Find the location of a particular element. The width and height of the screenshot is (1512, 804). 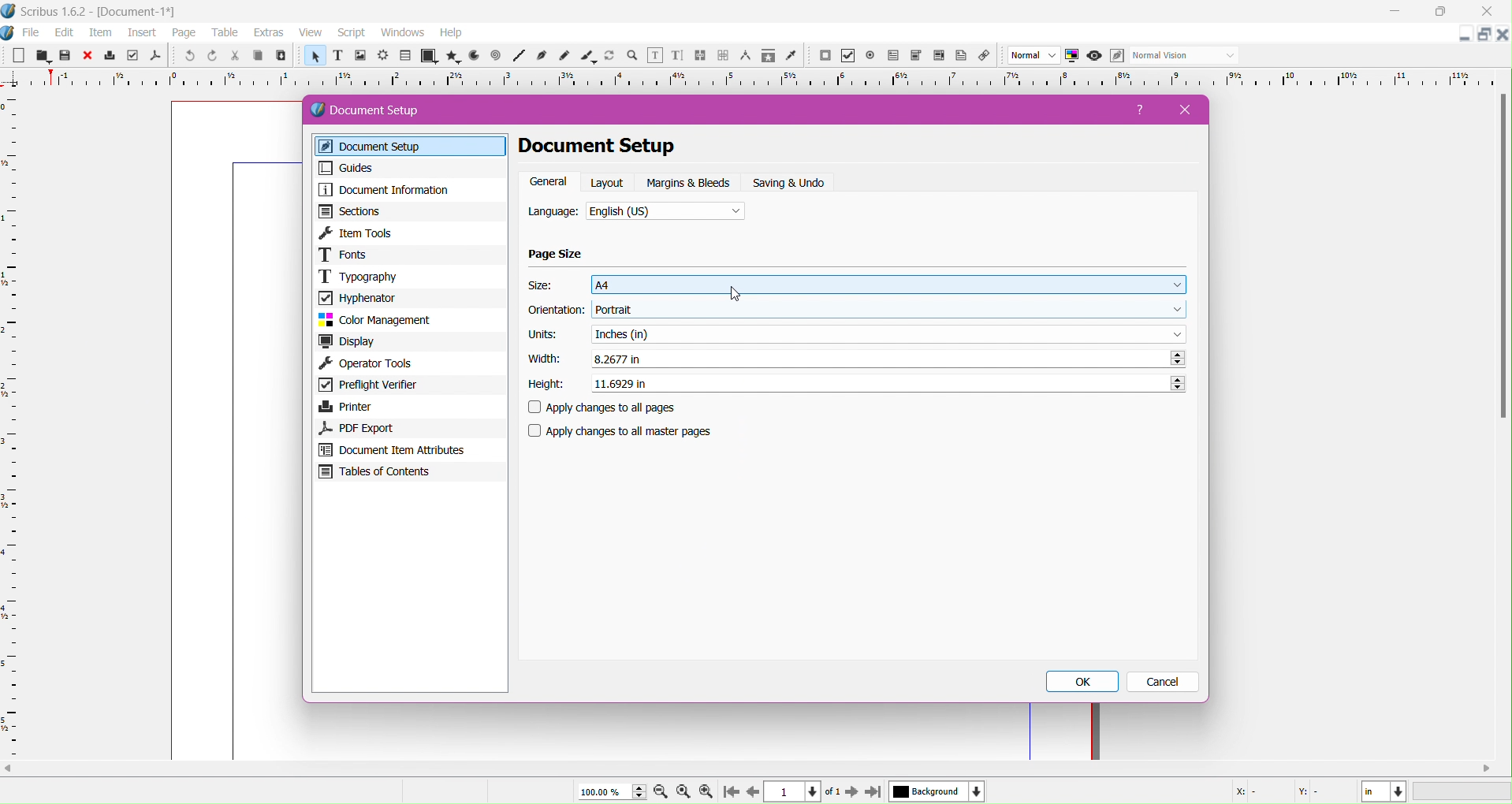

Printer is located at coordinates (409, 407).